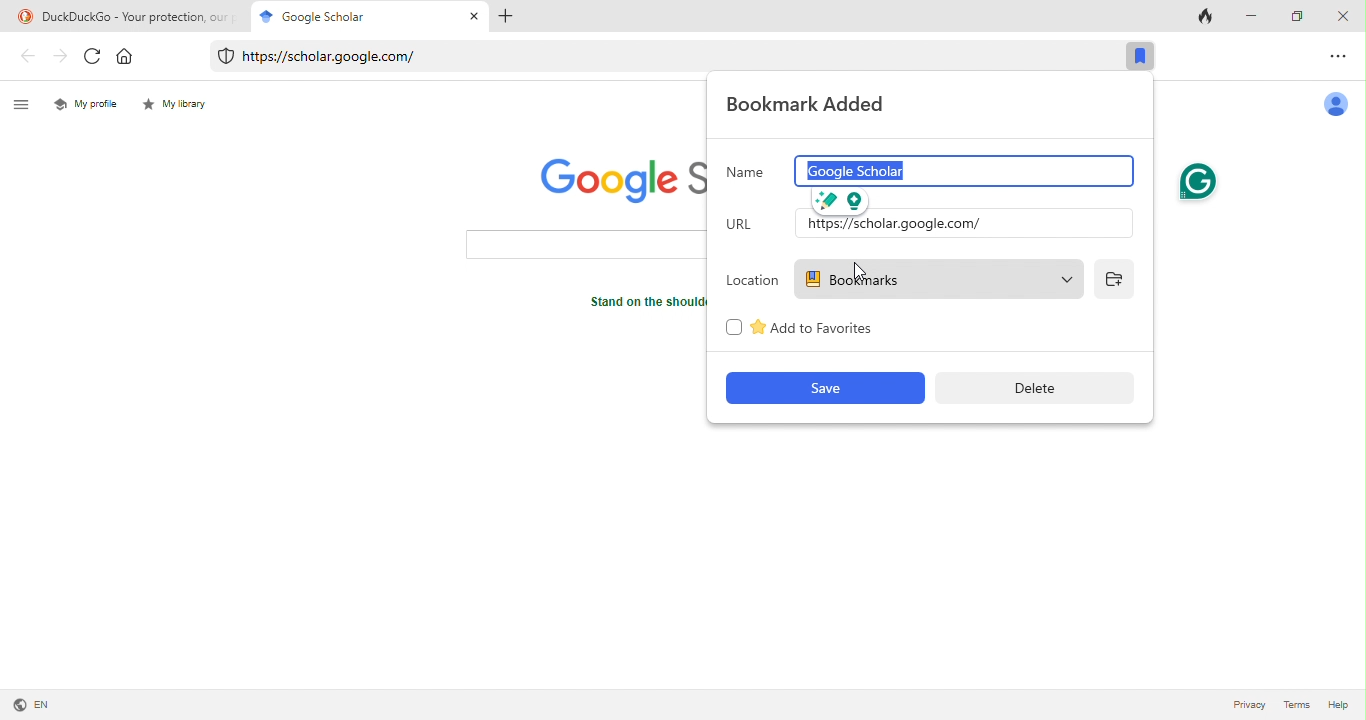  What do you see at coordinates (32, 704) in the screenshot?
I see `language` at bounding box center [32, 704].